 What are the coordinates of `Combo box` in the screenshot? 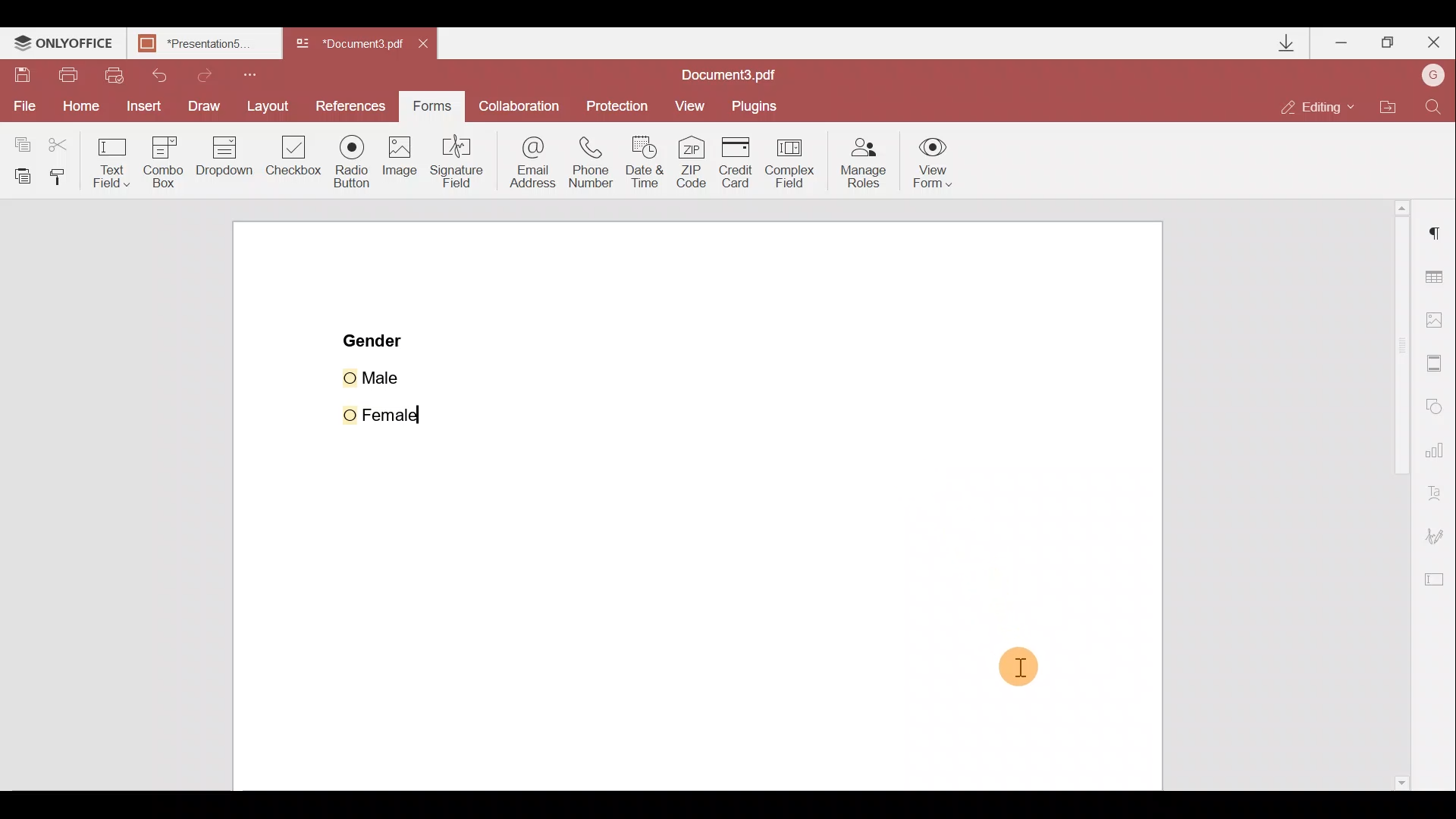 It's located at (160, 160).